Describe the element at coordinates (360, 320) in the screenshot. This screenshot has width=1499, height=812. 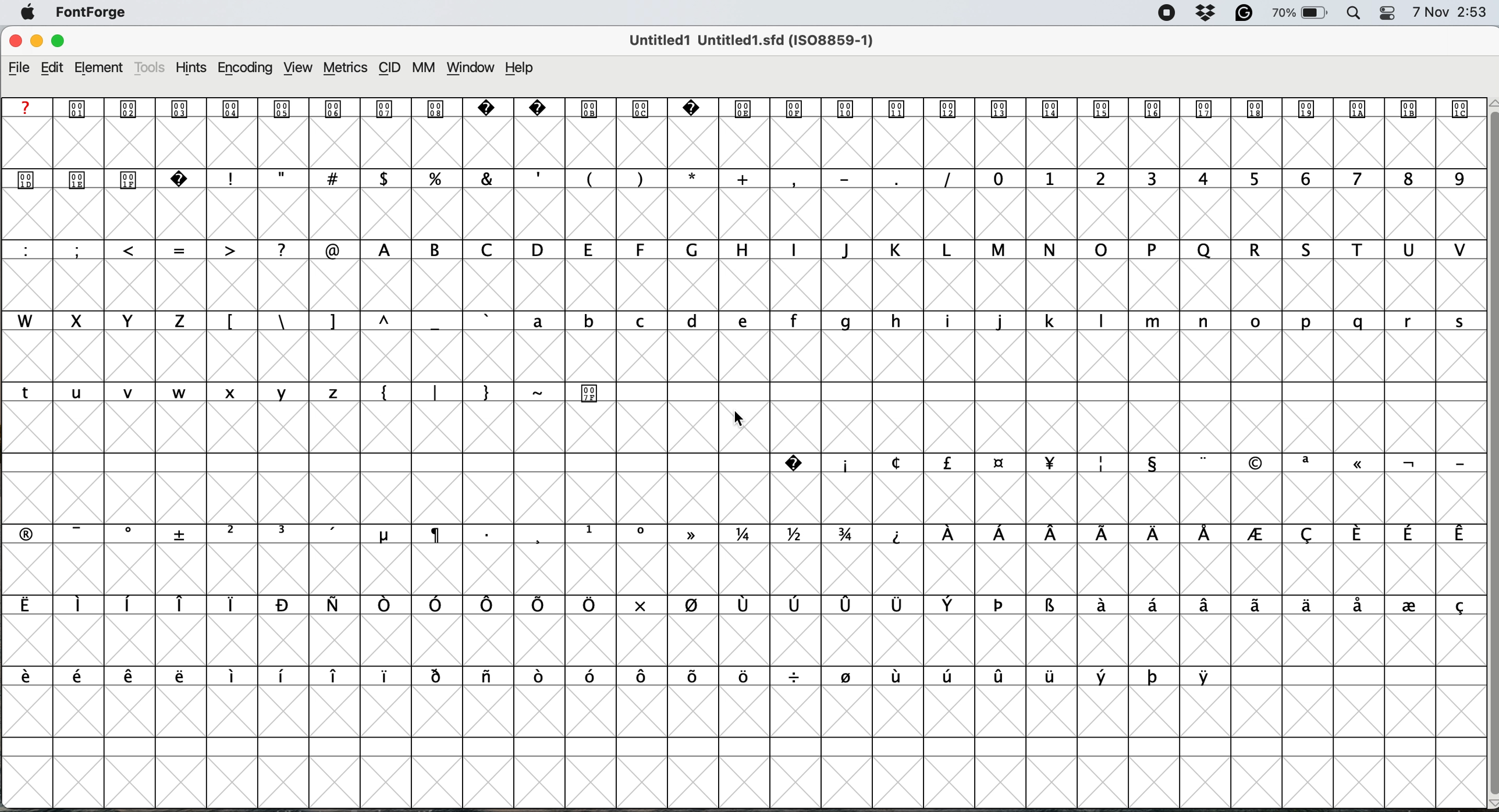
I see `special characters` at that location.